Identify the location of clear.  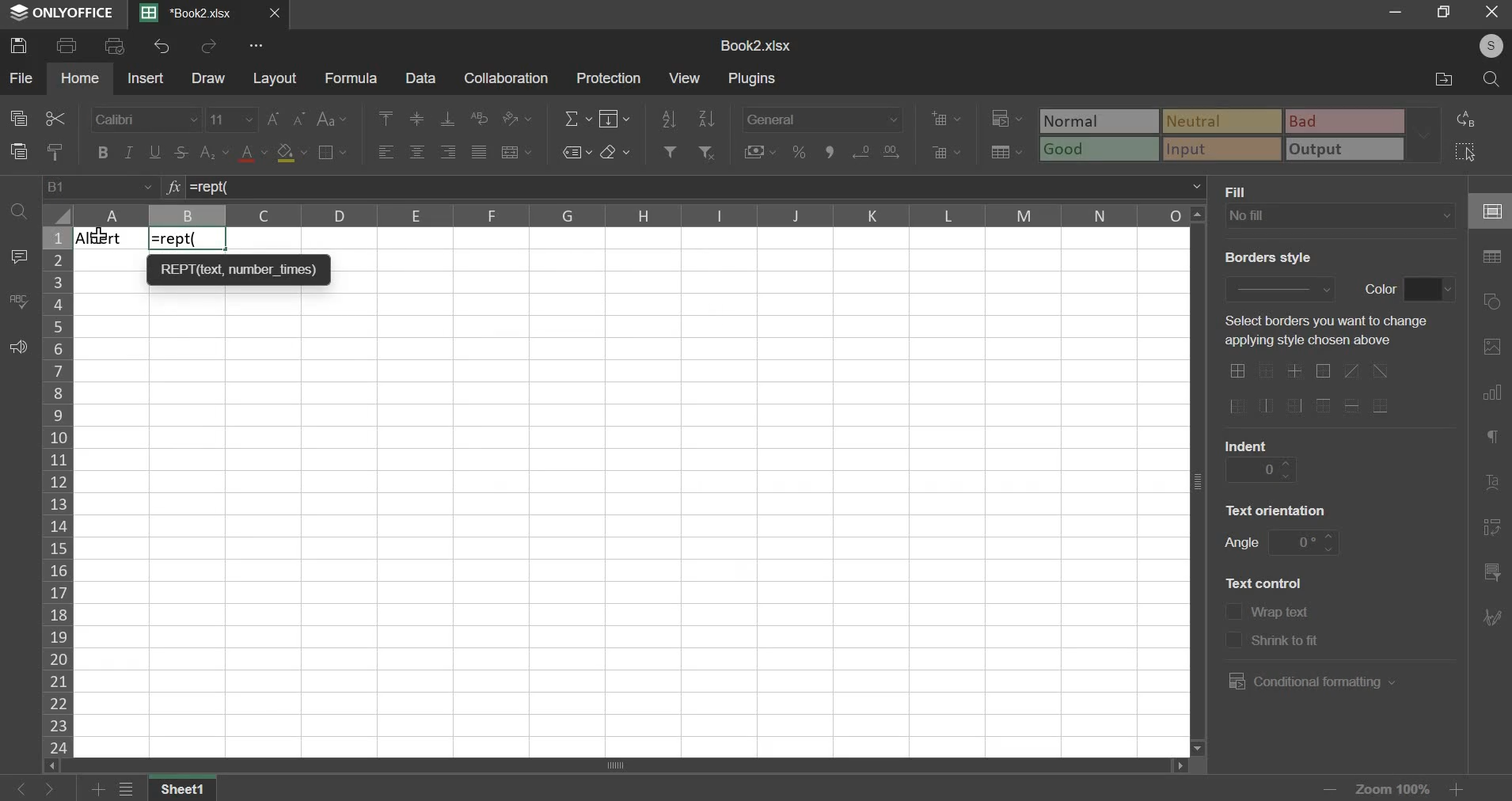
(615, 151).